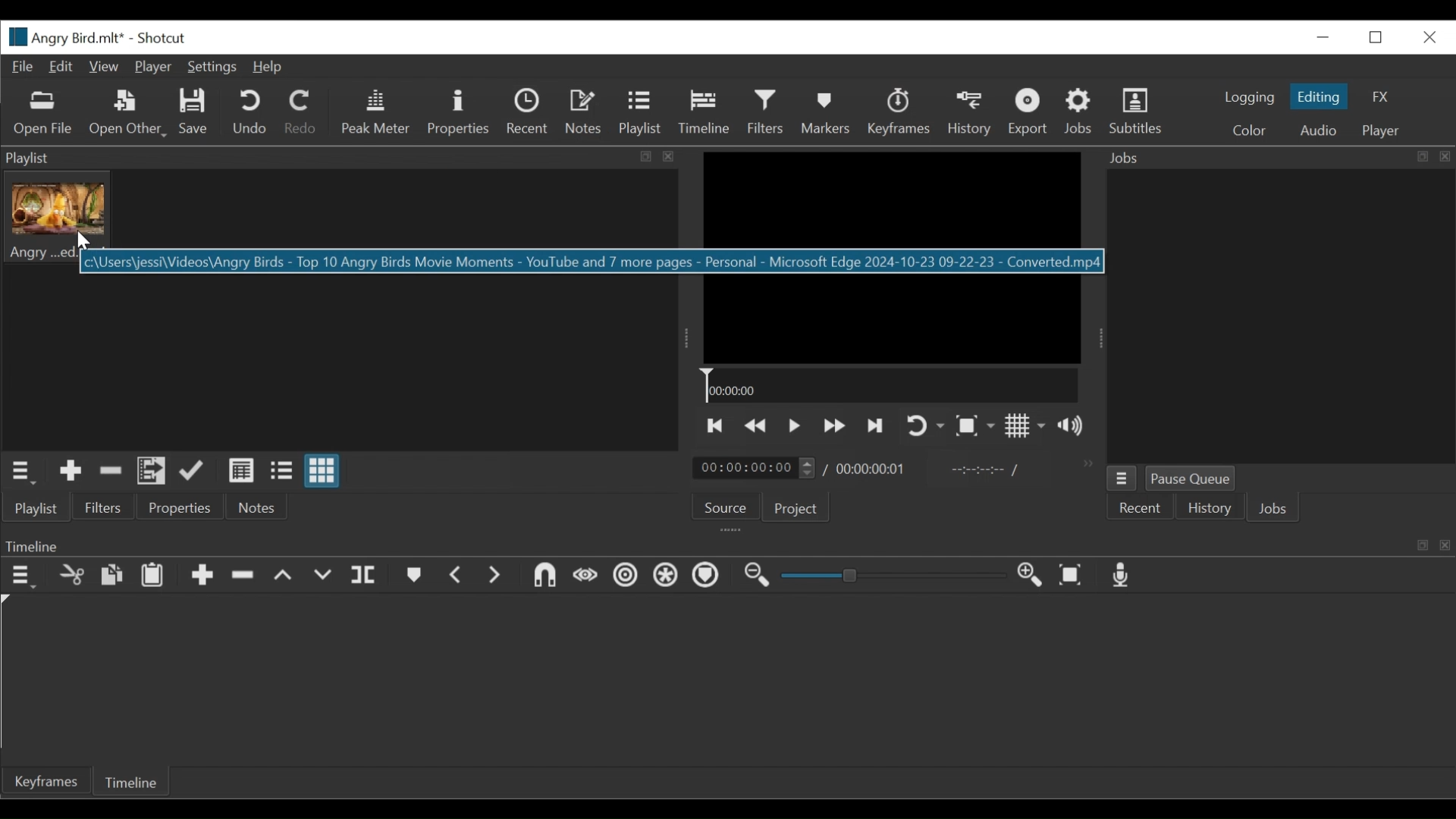  Describe the element at coordinates (460, 112) in the screenshot. I see `Properties` at that location.